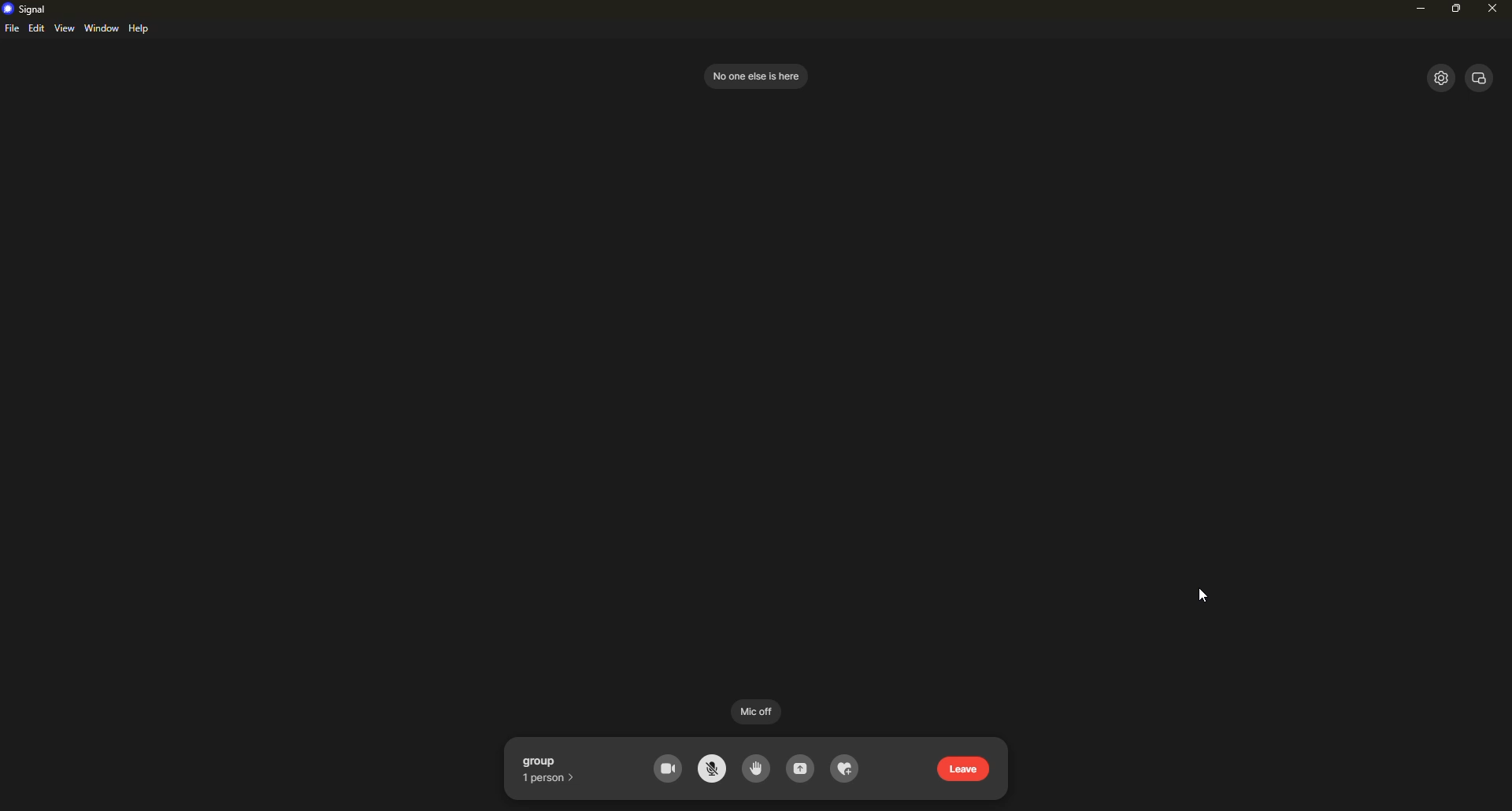 The image size is (1512, 811). Describe the element at coordinates (551, 777) in the screenshot. I see `1` at that location.